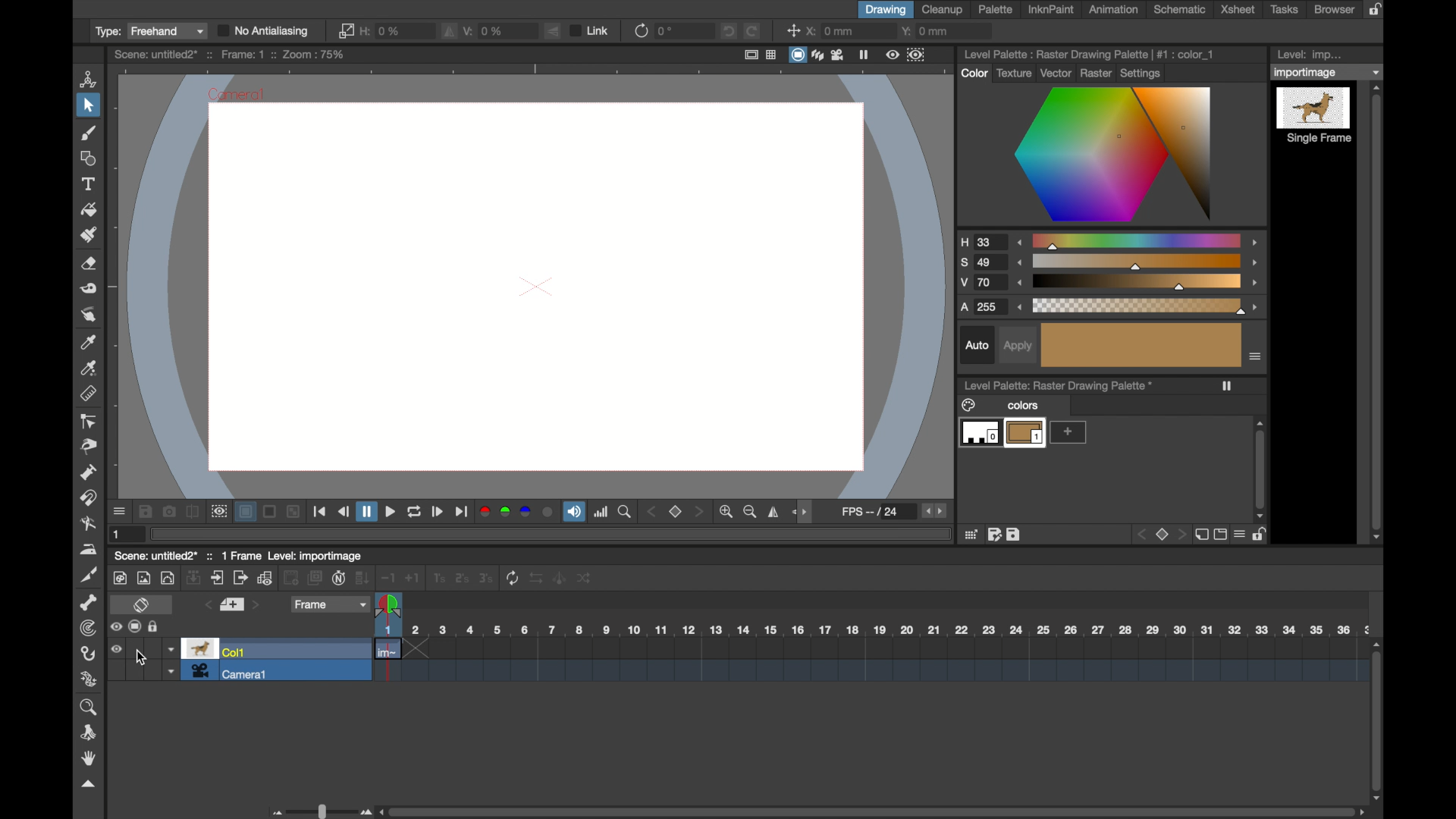  Describe the element at coordinates (665, 31) in the screenshot. I see `0` at that location.